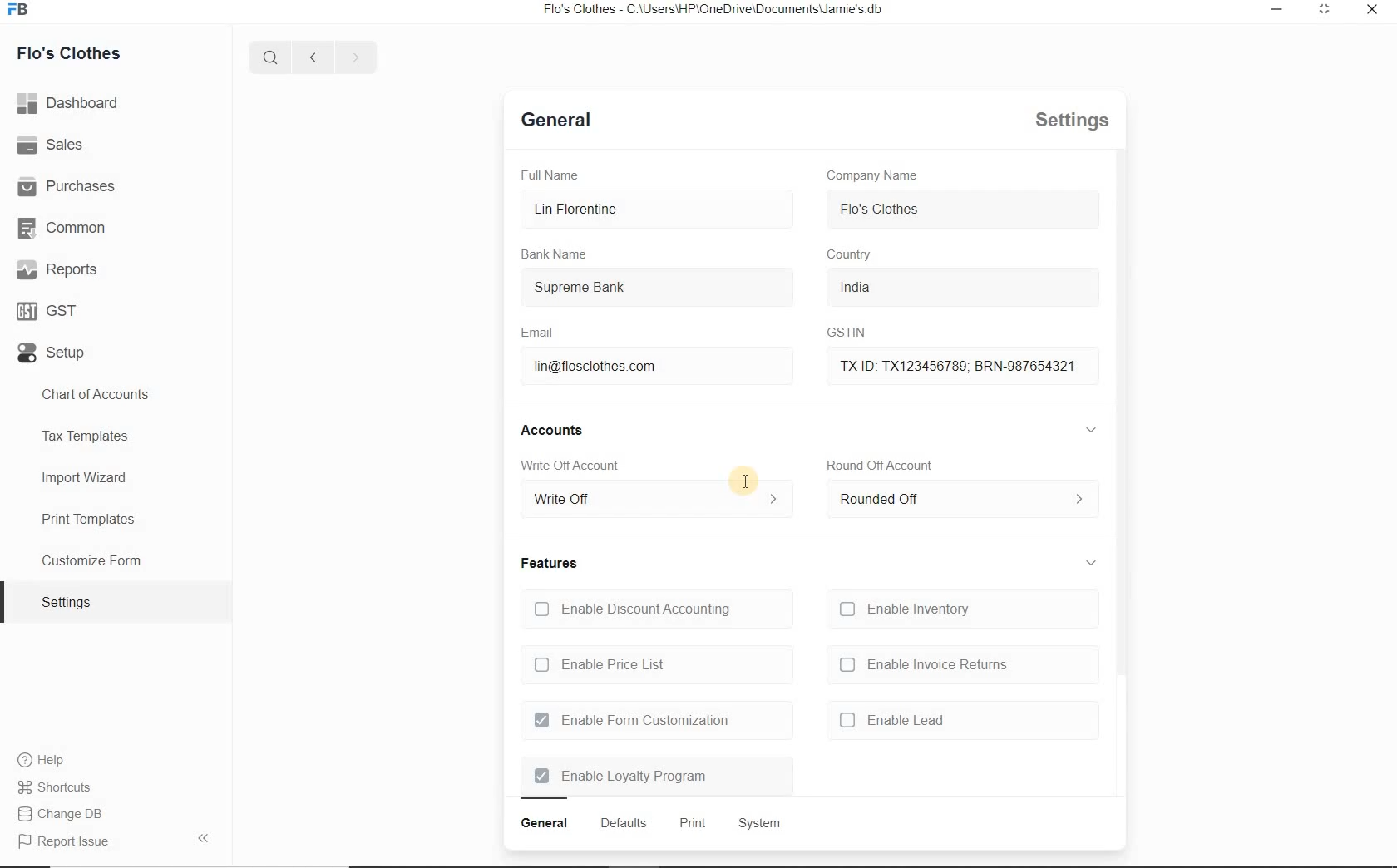 Image resolution: width=1397 pixels, height=868 pixels. I want to click on Write Off Account, so click(569, 465).